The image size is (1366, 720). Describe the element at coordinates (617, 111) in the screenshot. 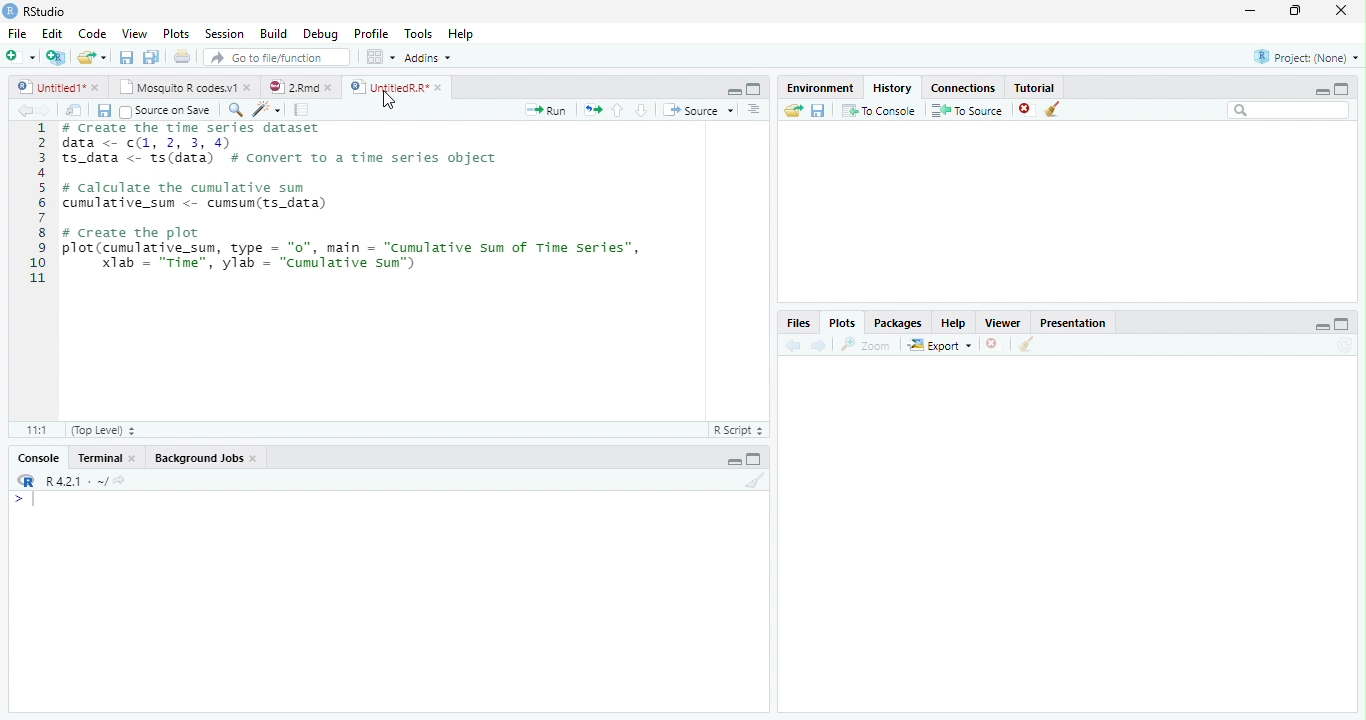

I see `Go to the previous section` at that location.